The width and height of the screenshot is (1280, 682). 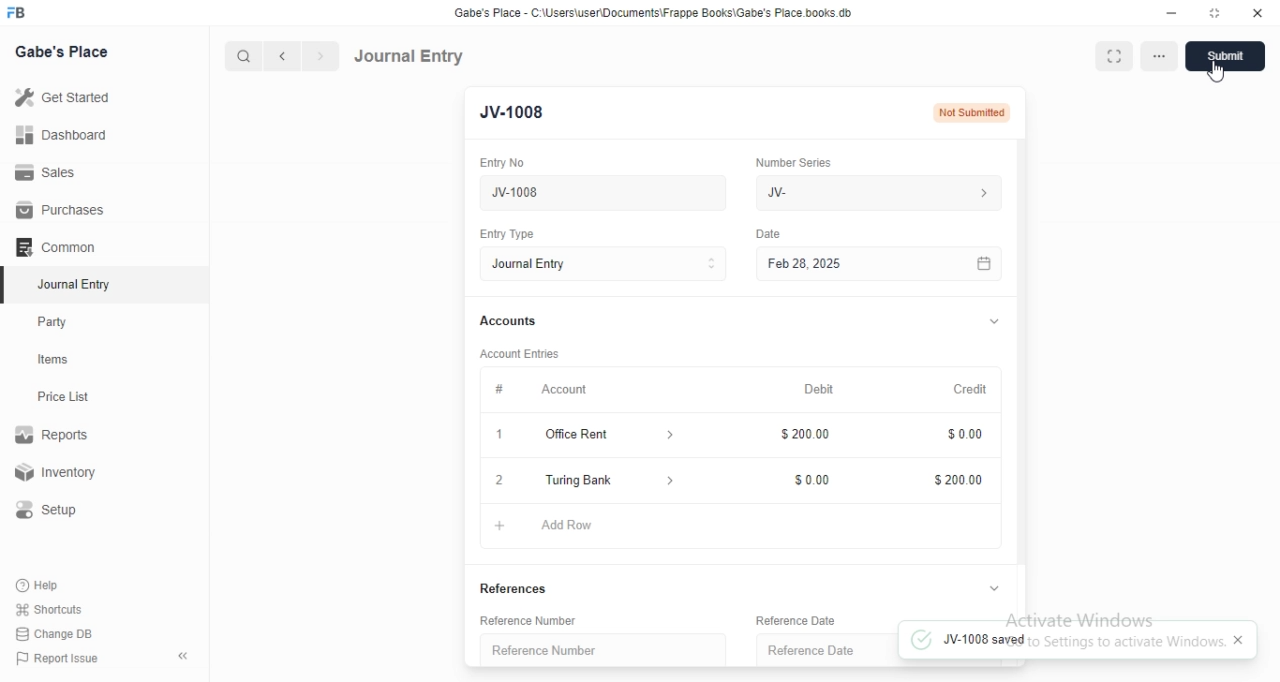 I want to click on ‘Journal Entry, so click(x=77, y=284).